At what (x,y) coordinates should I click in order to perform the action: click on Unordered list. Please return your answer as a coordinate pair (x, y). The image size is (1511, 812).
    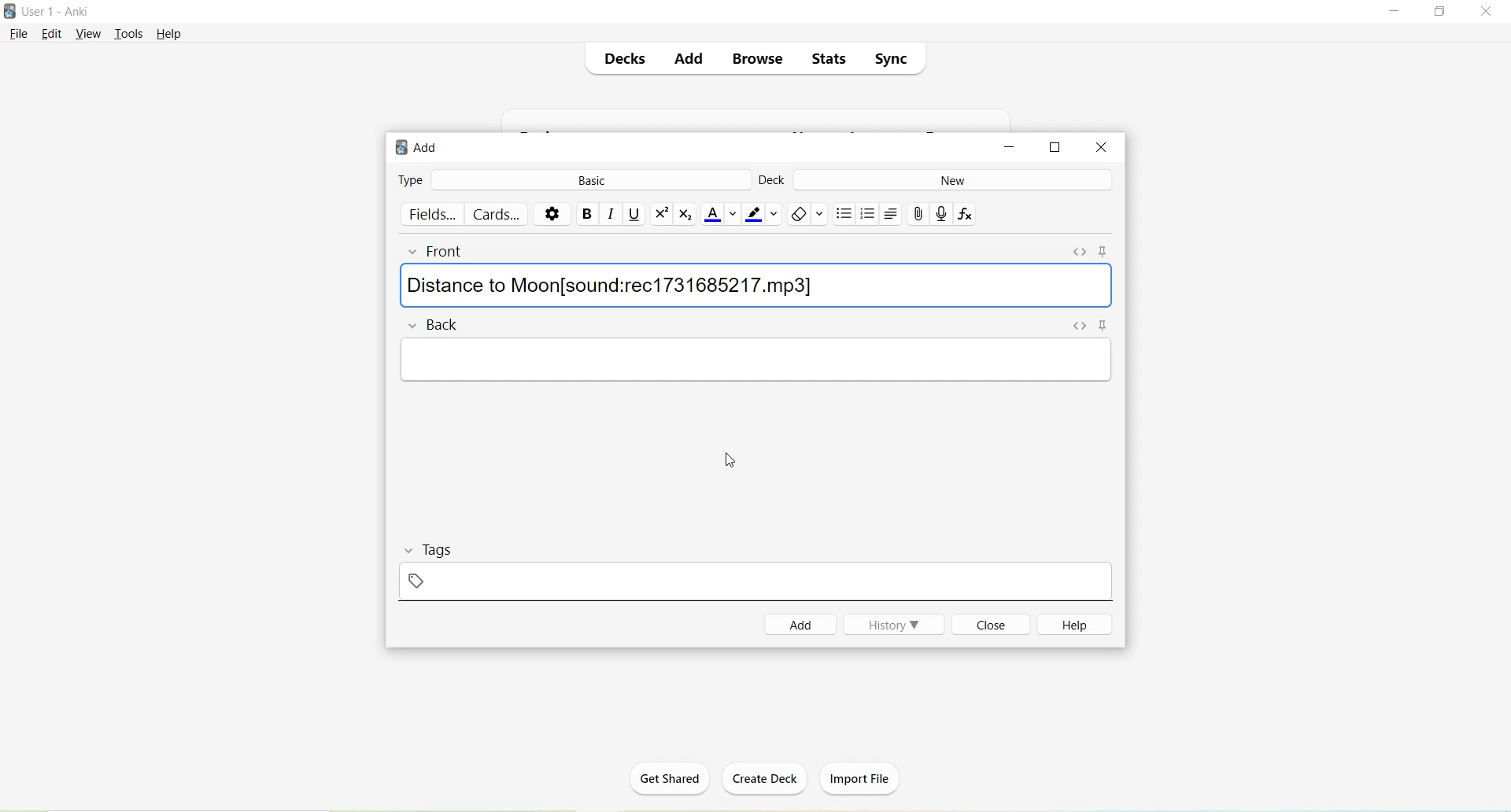
    Looking at the image, I should click on (843, 214).